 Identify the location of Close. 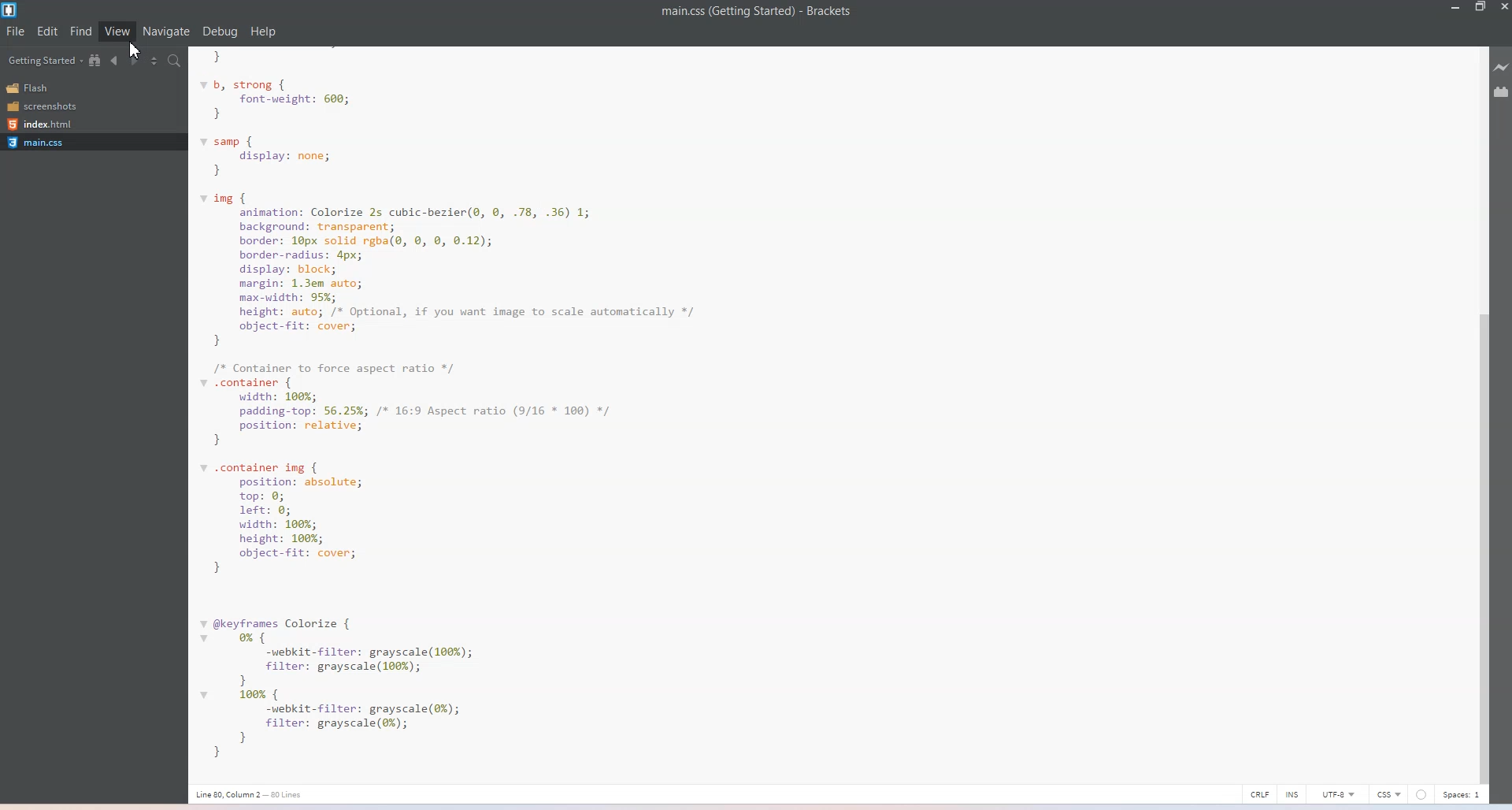
(1503, 8).